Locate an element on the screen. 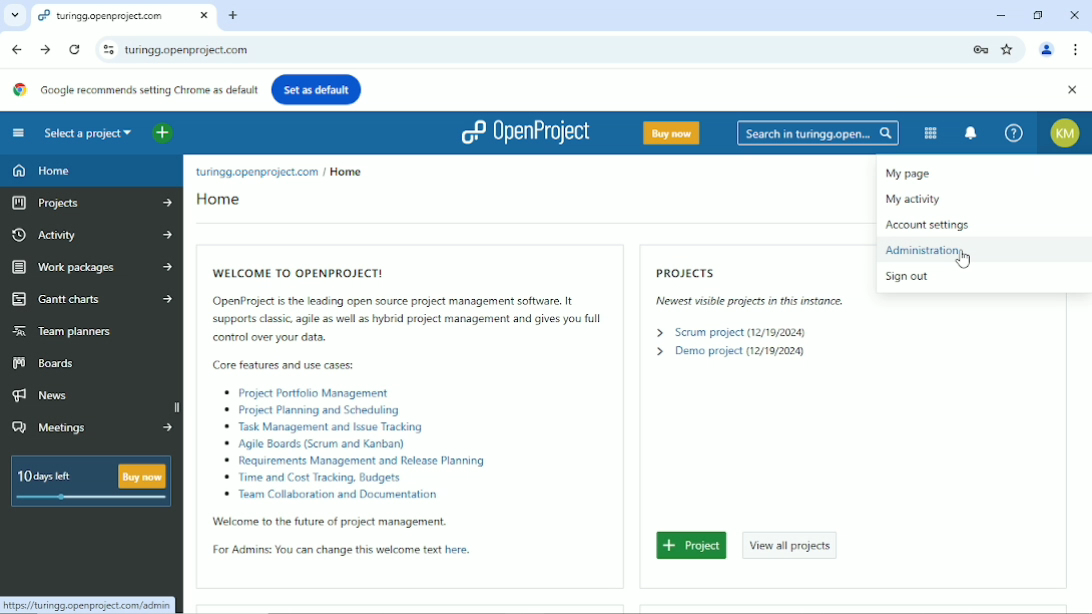 This screenshot has height=614, width=1092. link: https://tutingg.openproject com/® is located at coordinates (87, 605).